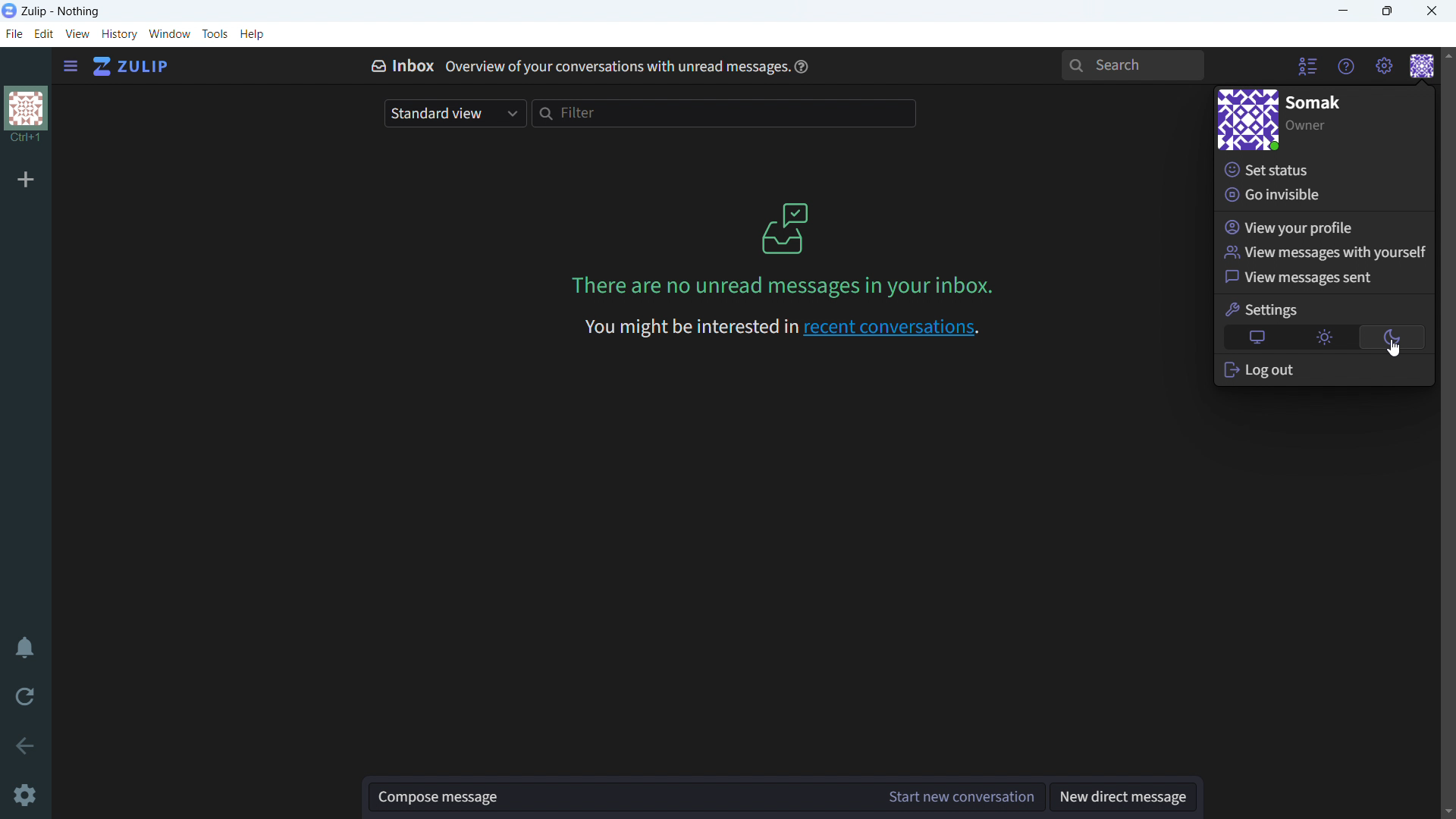 The width and height of the screenshot is (1456, 819). I want to click on automatic theme, so click(1257, 337).